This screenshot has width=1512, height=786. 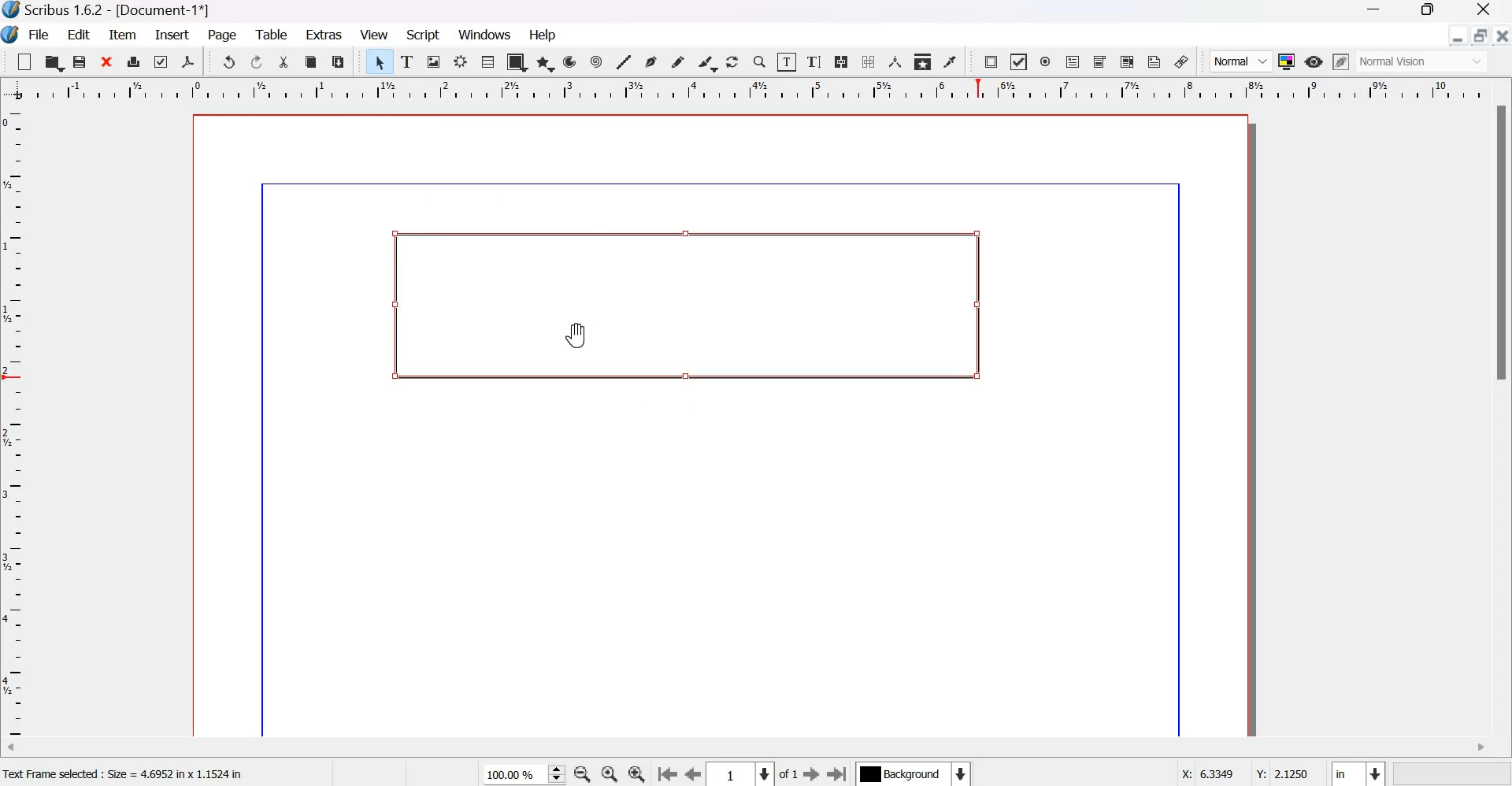 What do you see at coordinates (285, 62) in the screenshot?
I see `cut` at bounding box center [285, 62].